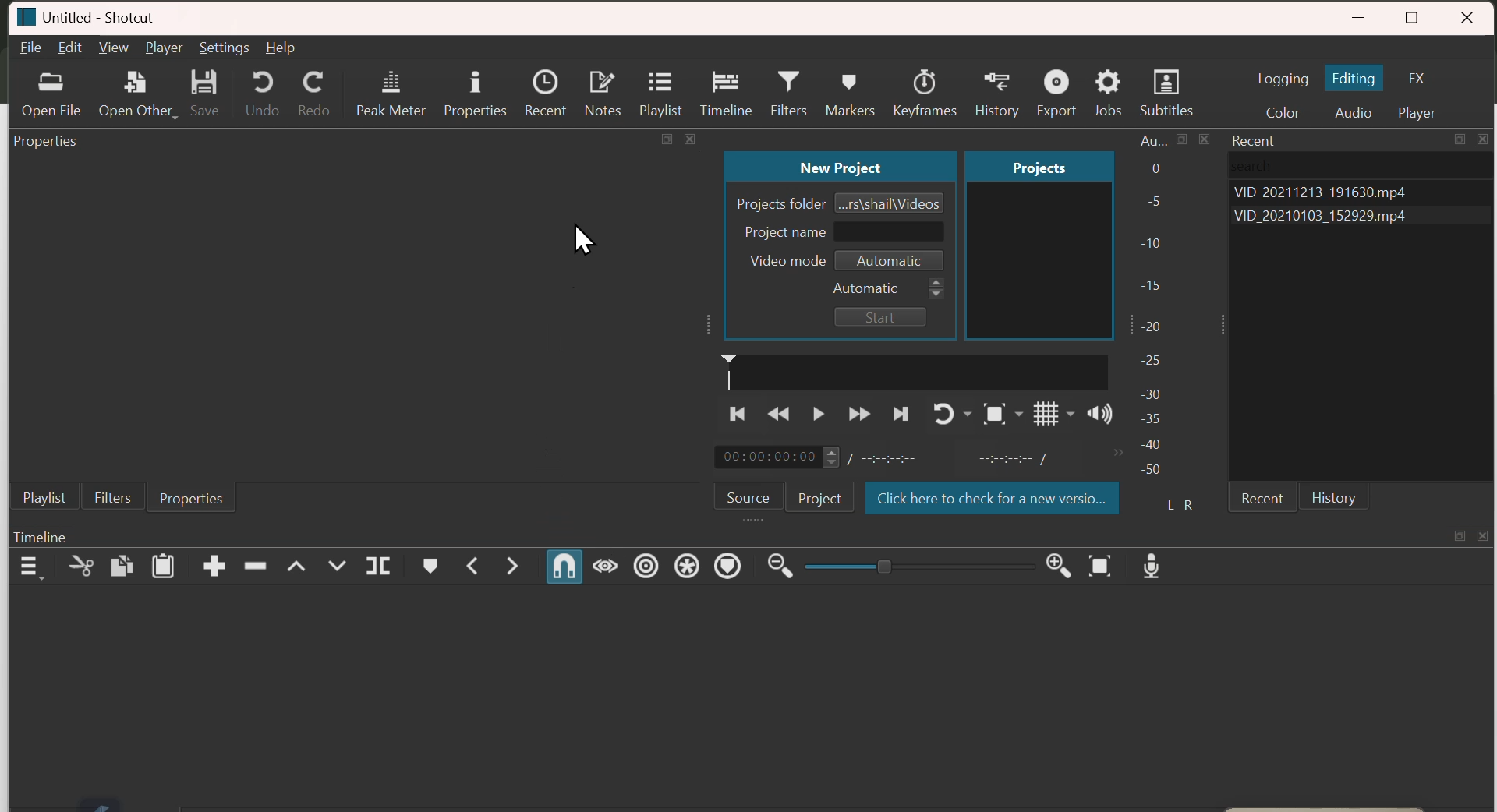  I want to click on Ripple markers, so click(727, 565).